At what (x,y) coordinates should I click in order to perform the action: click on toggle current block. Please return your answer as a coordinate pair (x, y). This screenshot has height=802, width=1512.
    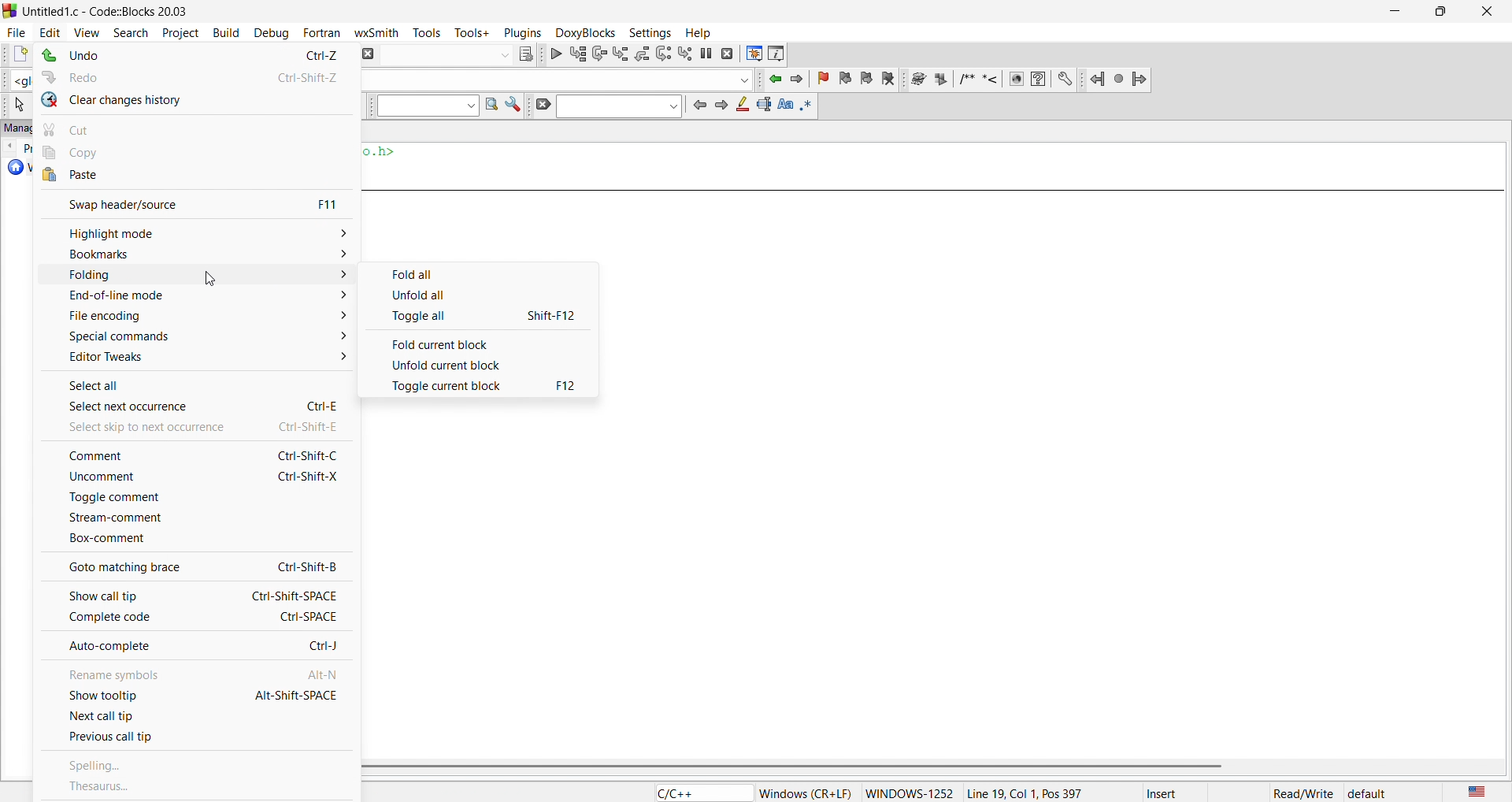
    Looking at the image, I should click on (484, 386).